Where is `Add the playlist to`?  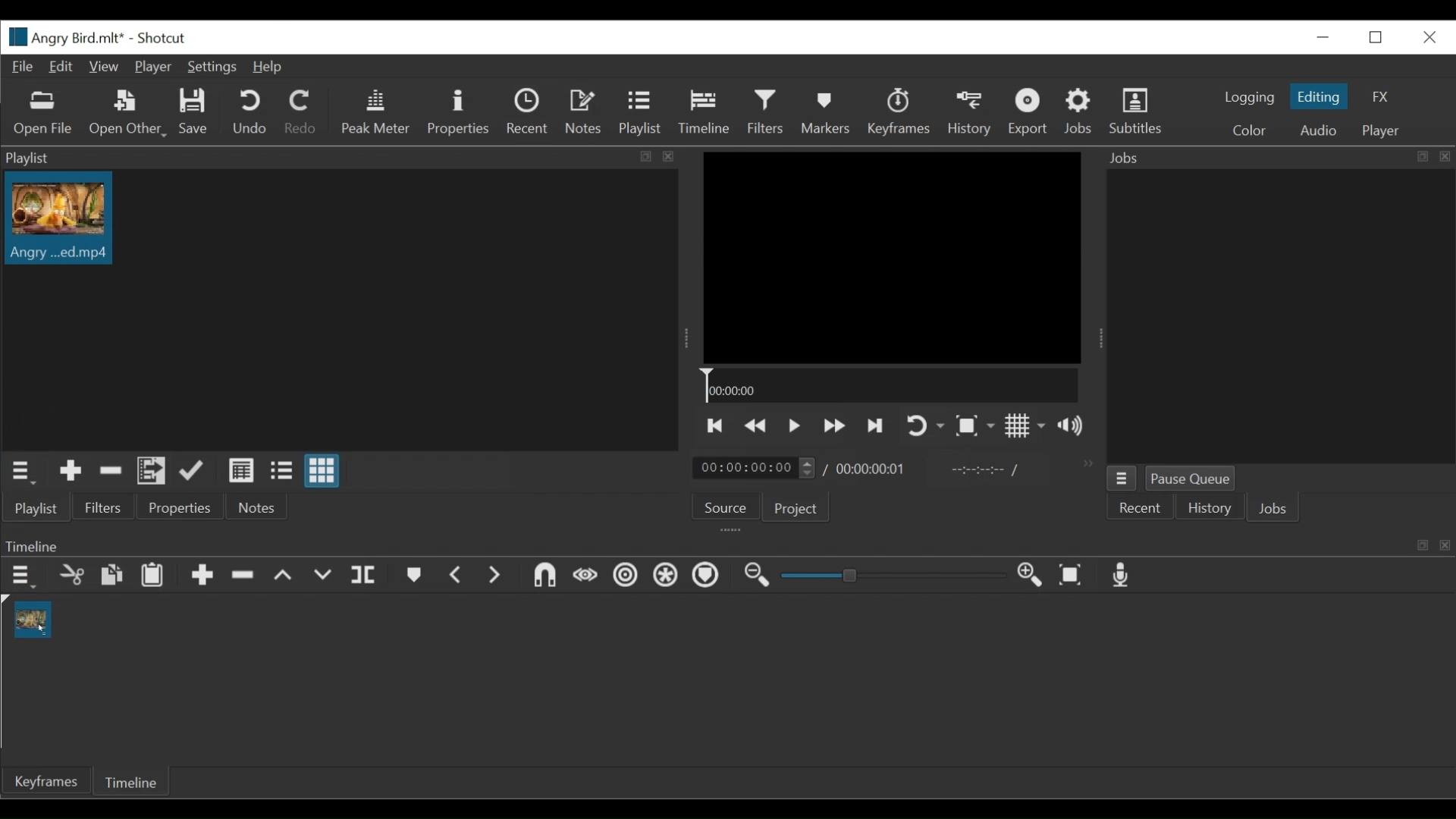 Add the playlist to is located at coordinates (152, 471).